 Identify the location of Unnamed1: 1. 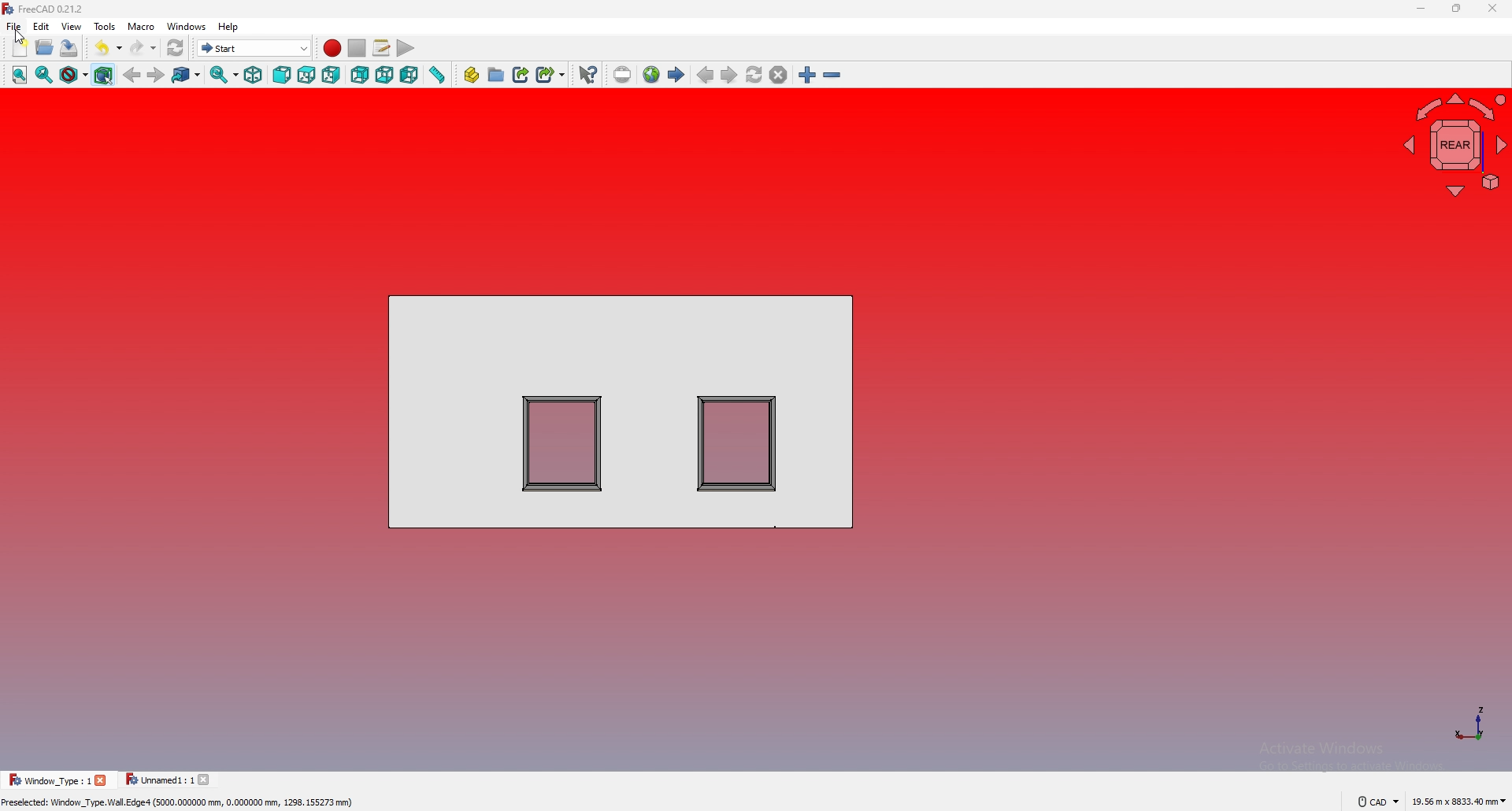
(159, 780).